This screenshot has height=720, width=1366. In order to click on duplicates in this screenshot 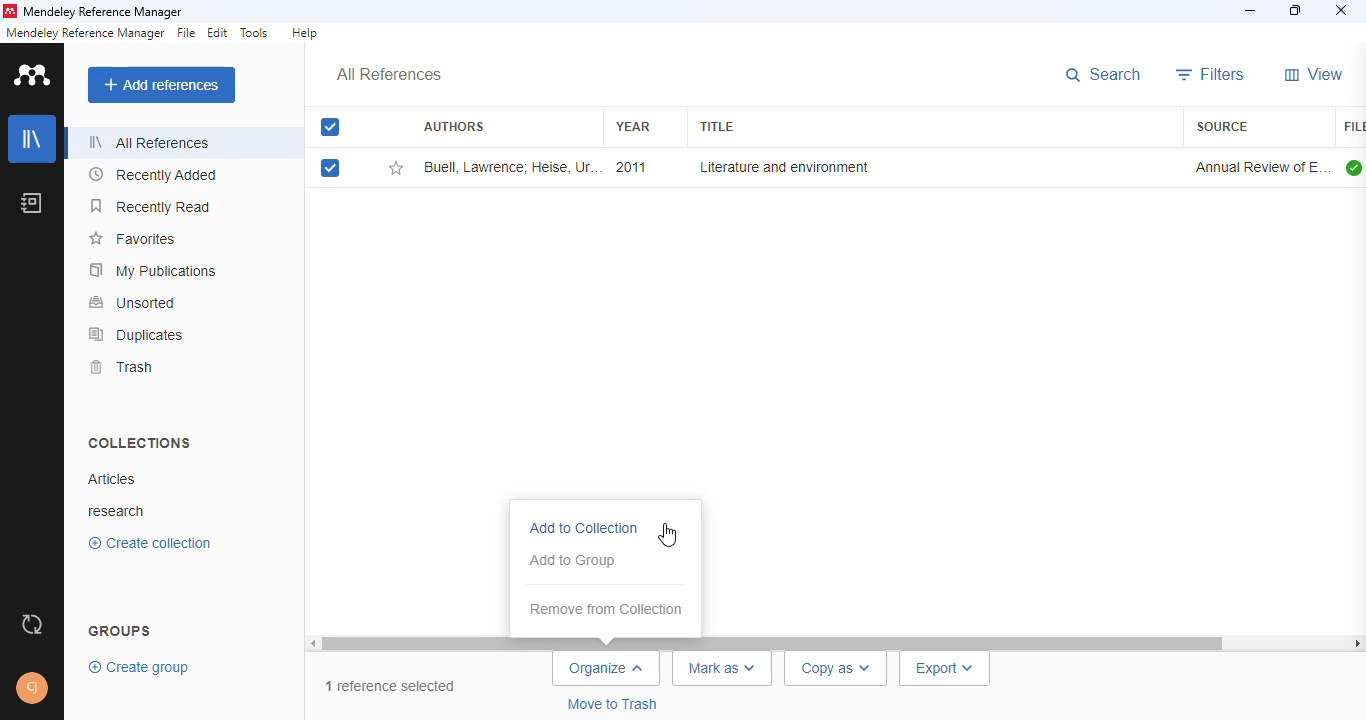, I will do `click(137, 335)`.